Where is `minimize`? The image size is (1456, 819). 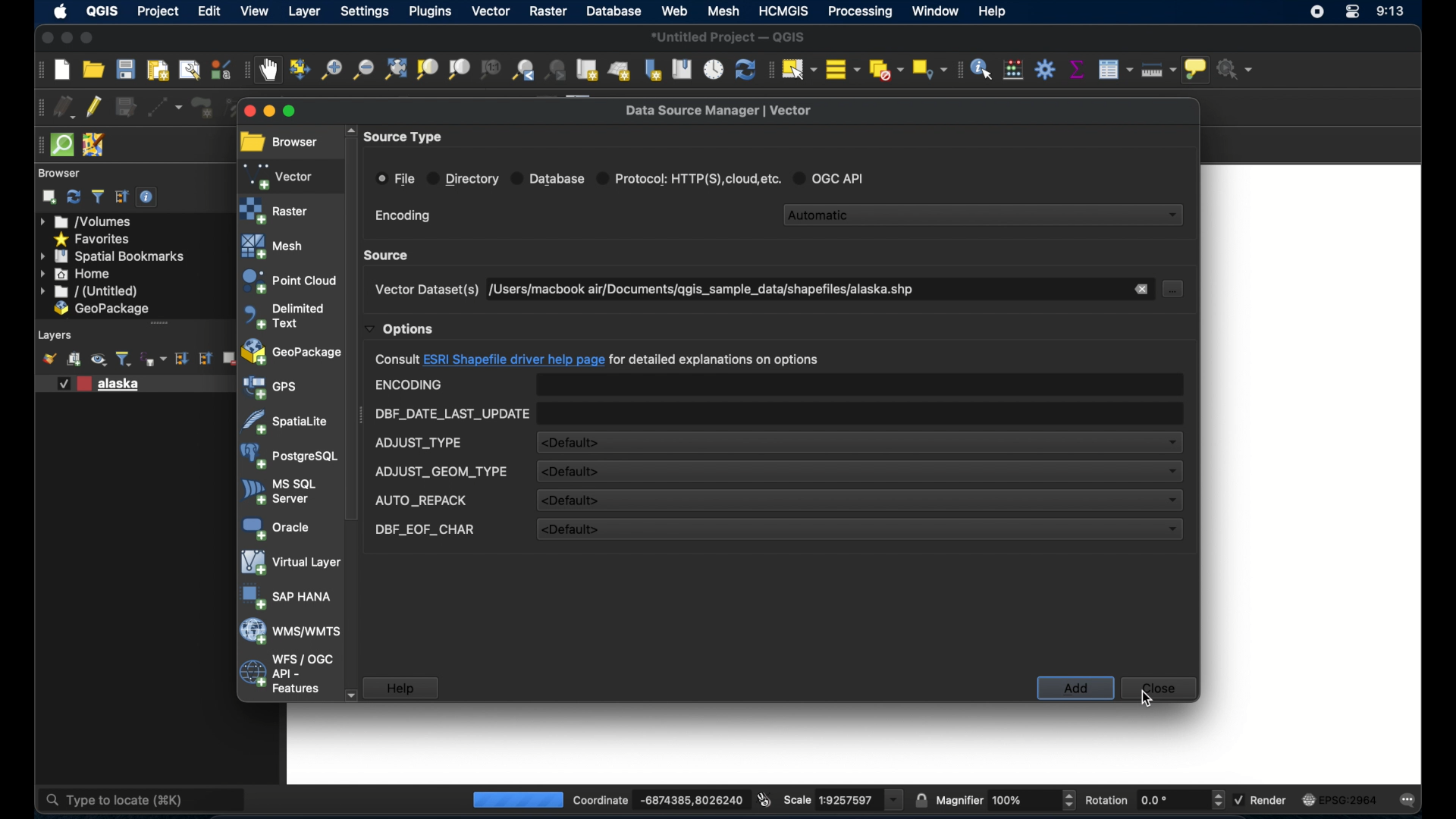
minimize is located at coordinates (271, 112).